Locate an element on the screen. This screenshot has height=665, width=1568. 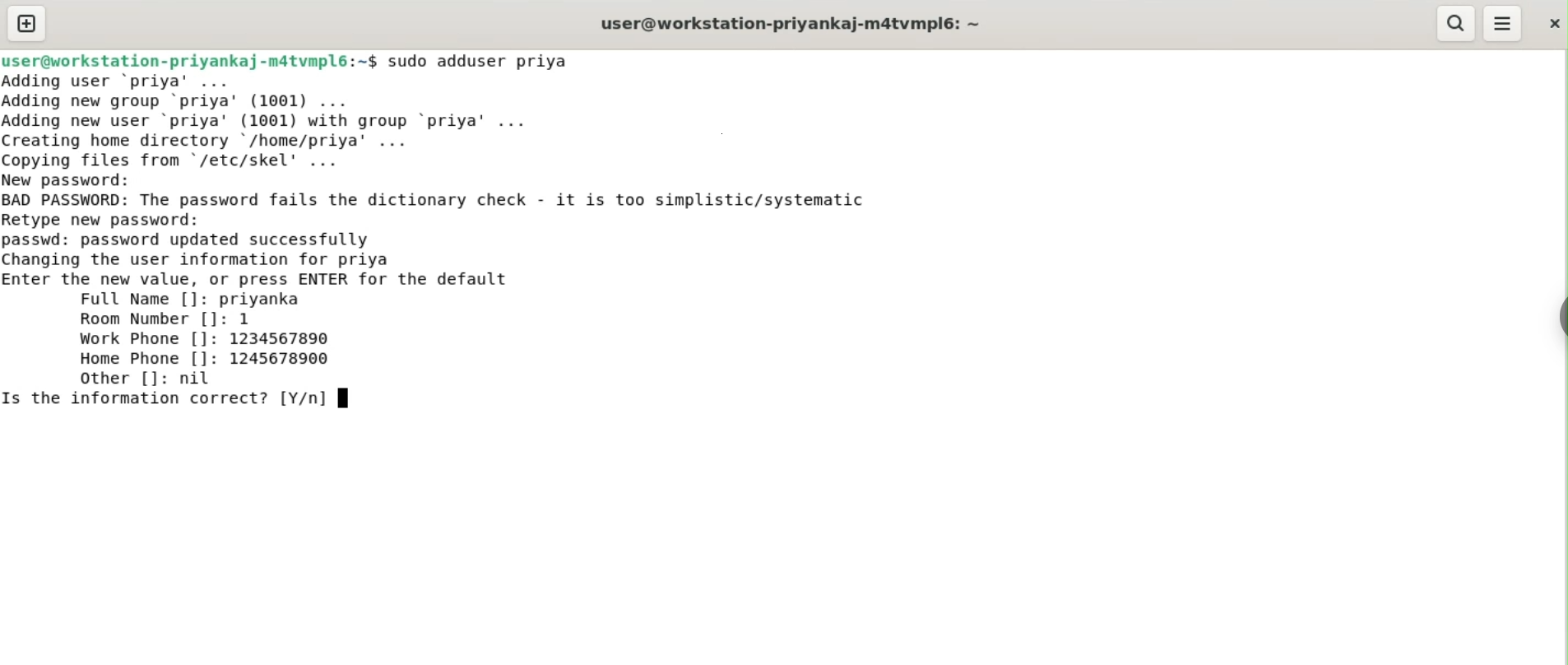
search is located at coordinates (1454, 23).